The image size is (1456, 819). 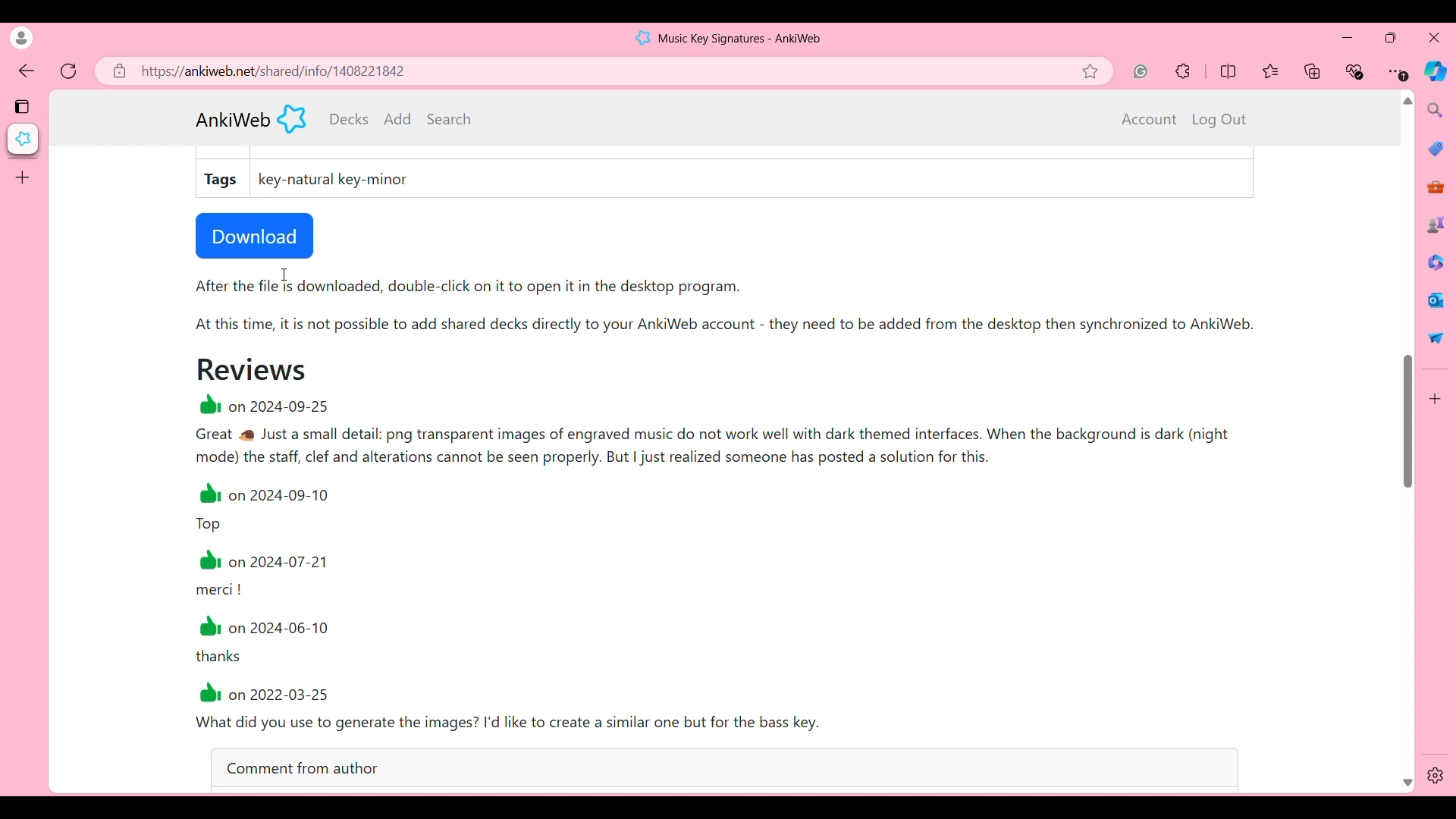 I want to click on Cursor, so click(x=284, y=275).